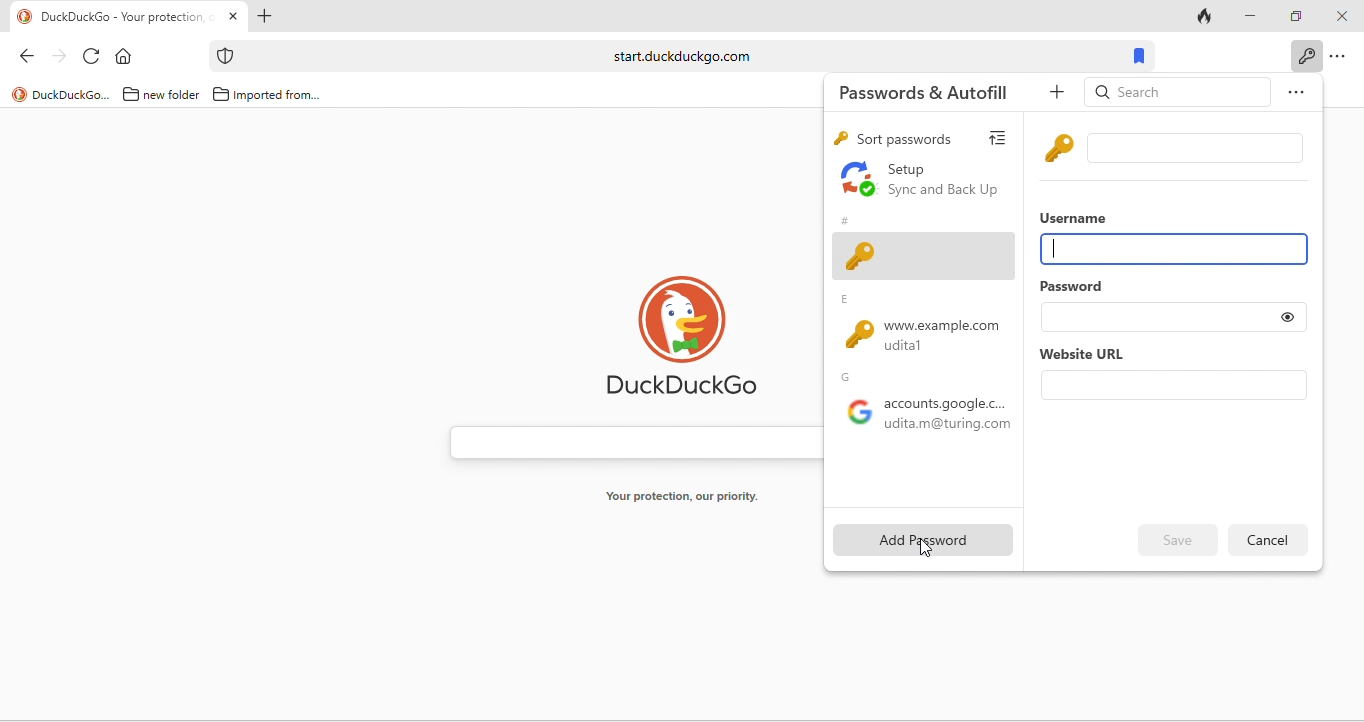  Describe the element at coordinates (683, 497) in the screenshot. I see `your protection, our priority.` at that location.